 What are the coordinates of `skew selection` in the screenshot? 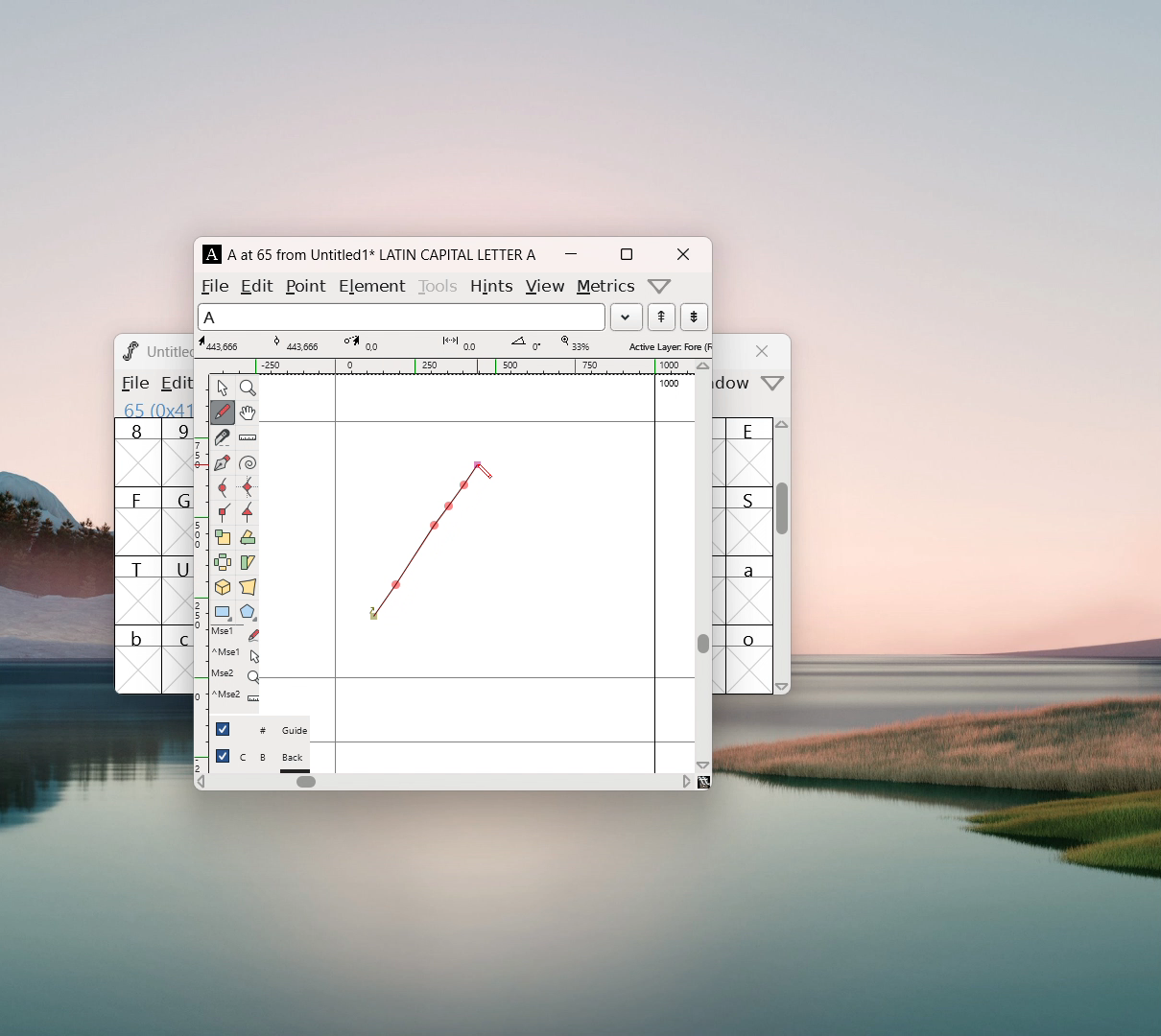 It's located at (247, 564).